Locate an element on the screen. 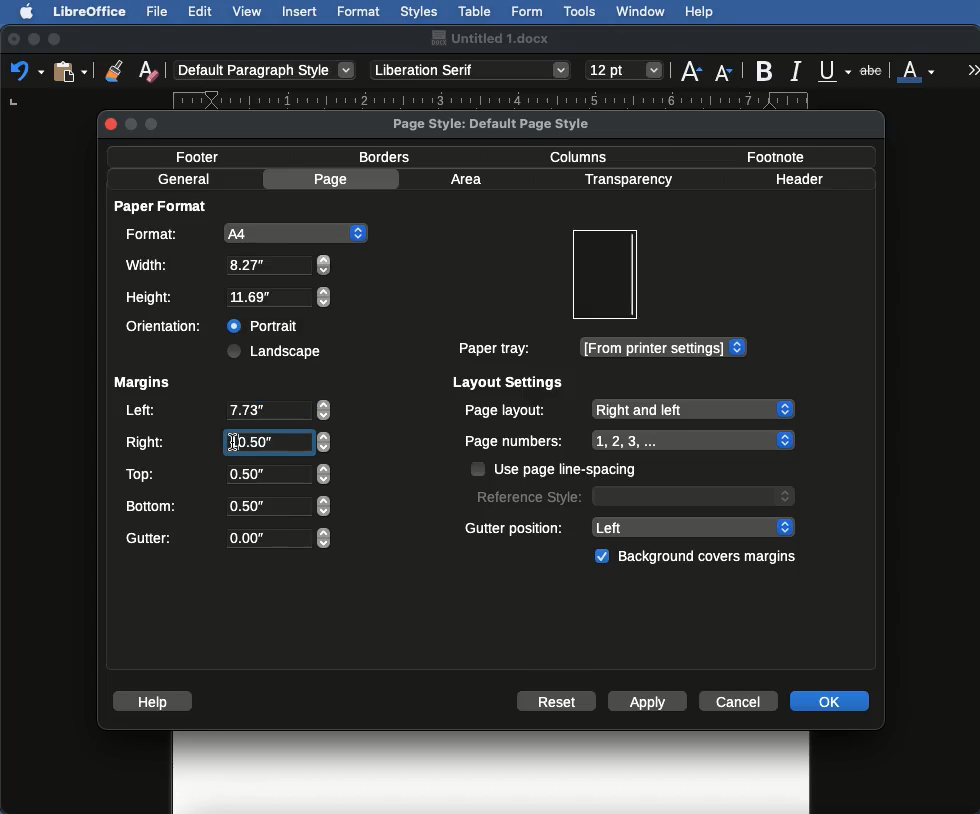  View is located at coordinates (248, 11).